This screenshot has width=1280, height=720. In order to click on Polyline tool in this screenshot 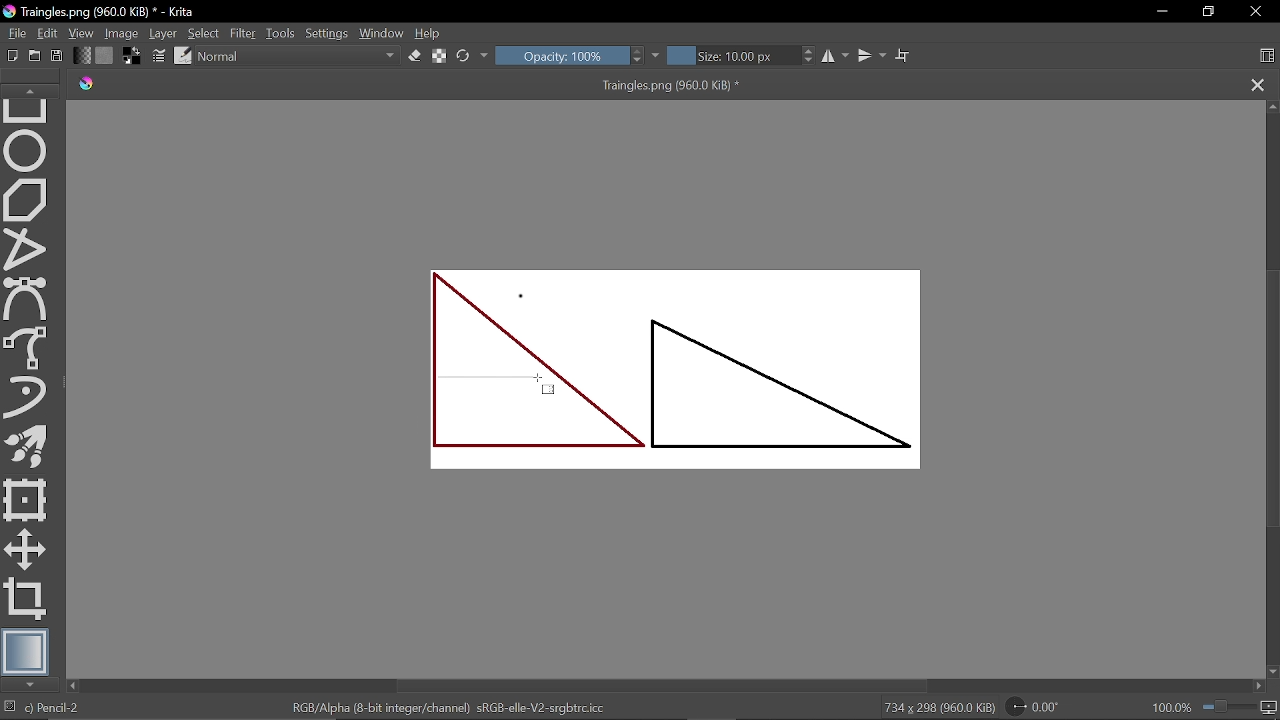, I will do `click(26, 251)`.